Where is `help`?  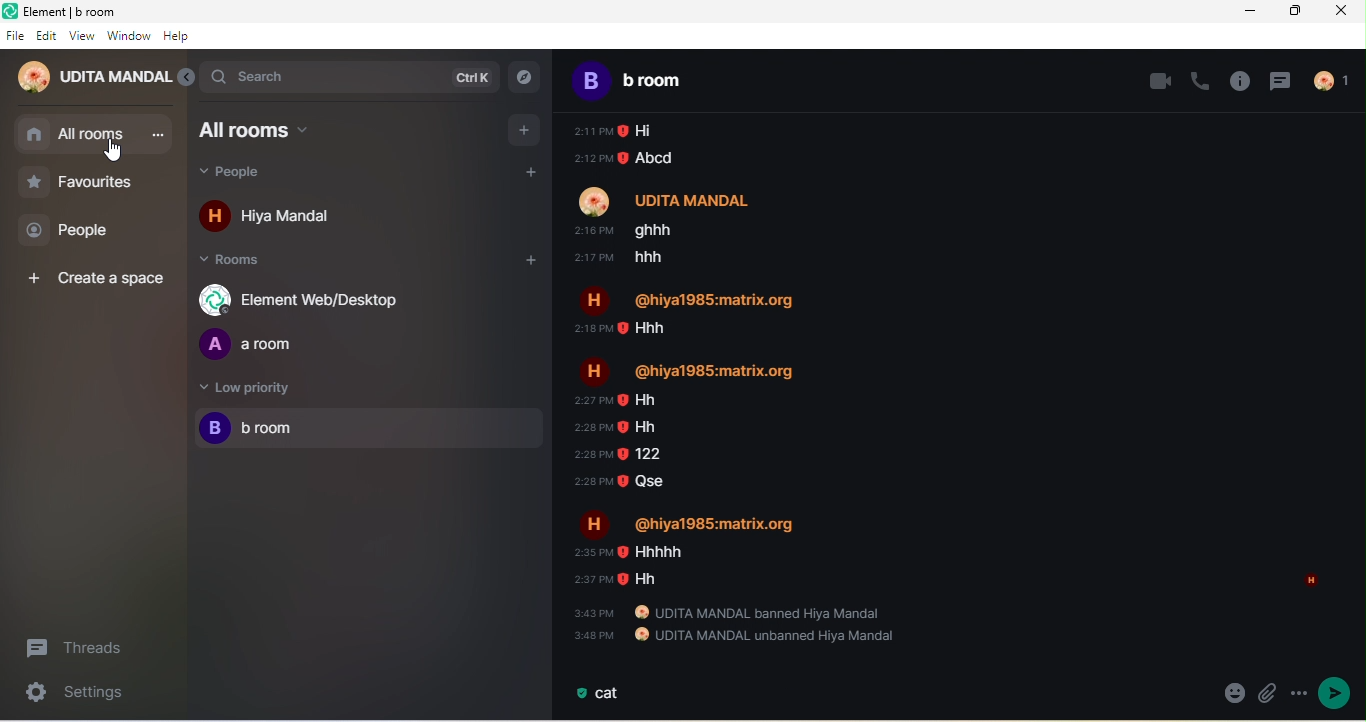
help is located at coordinates (179, 37).